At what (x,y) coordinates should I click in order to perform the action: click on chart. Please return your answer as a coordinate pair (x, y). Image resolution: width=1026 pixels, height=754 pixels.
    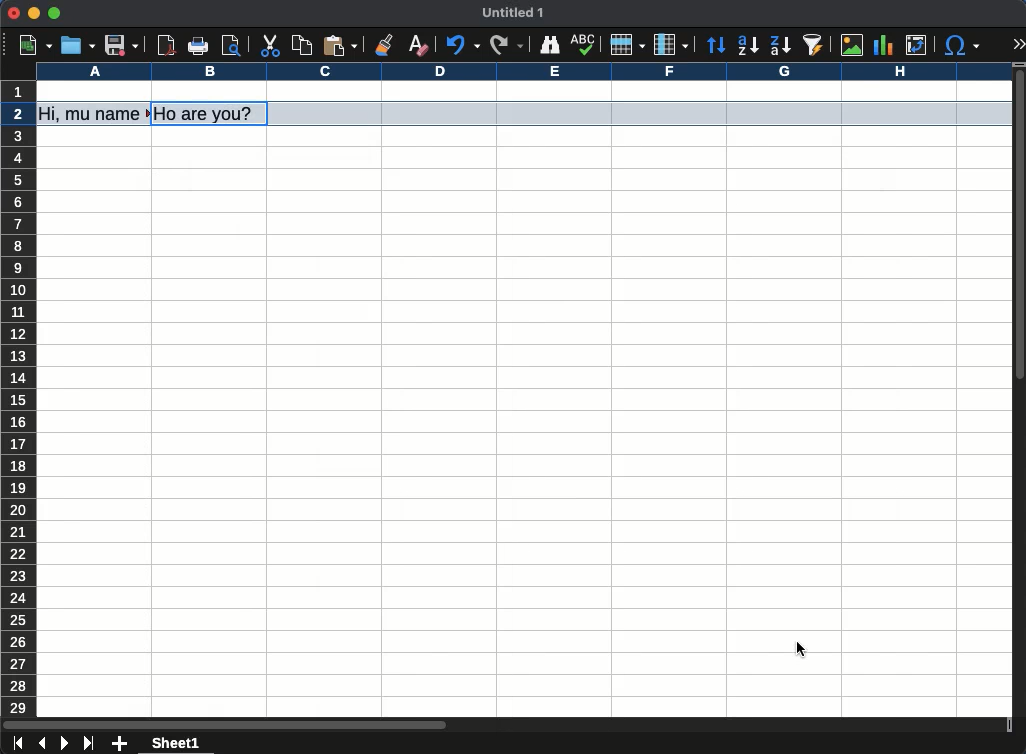
    Looking at the image, I should click on (882, 45).